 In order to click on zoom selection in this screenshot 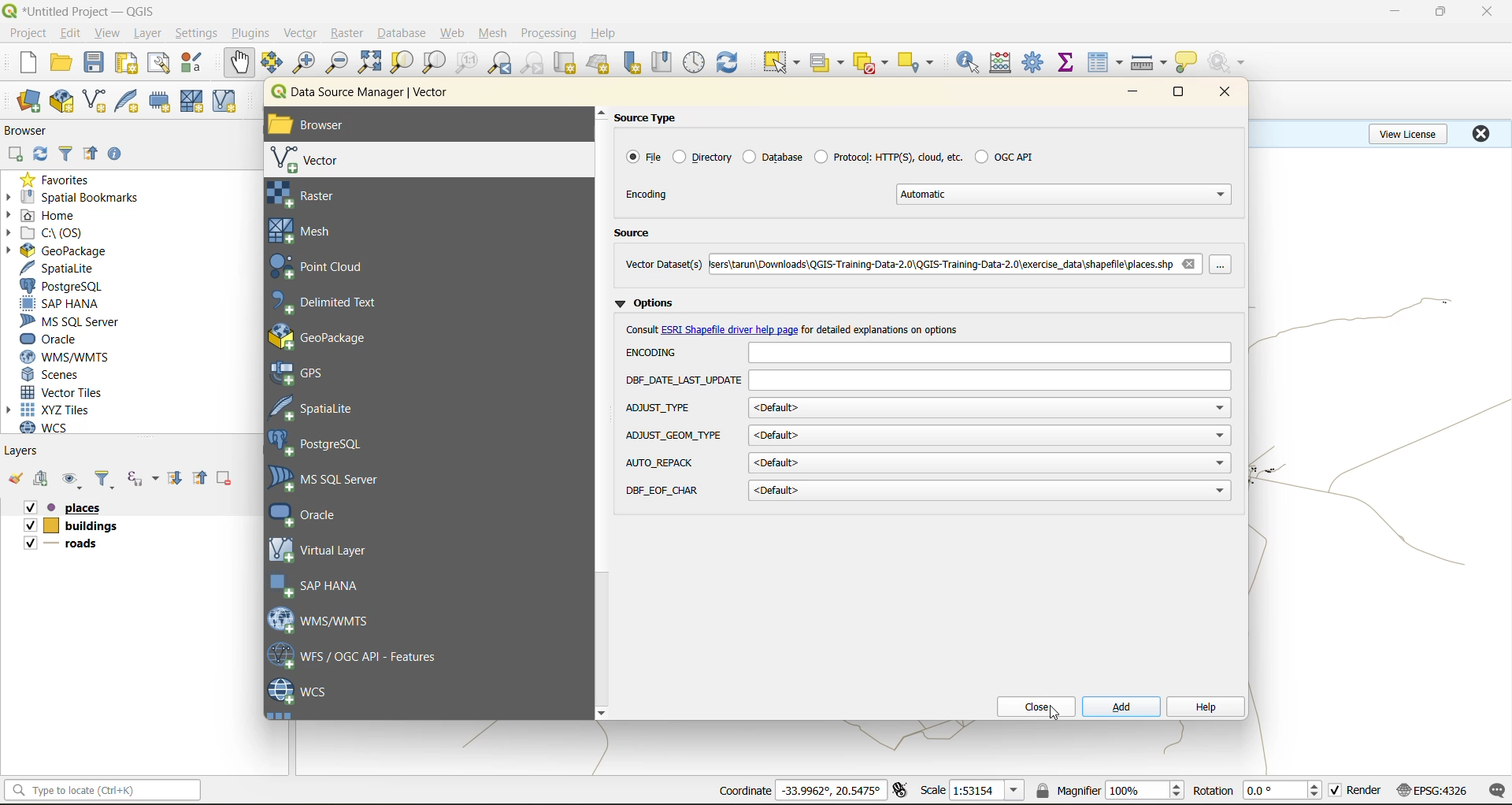, I will do `click(400, 64)`.